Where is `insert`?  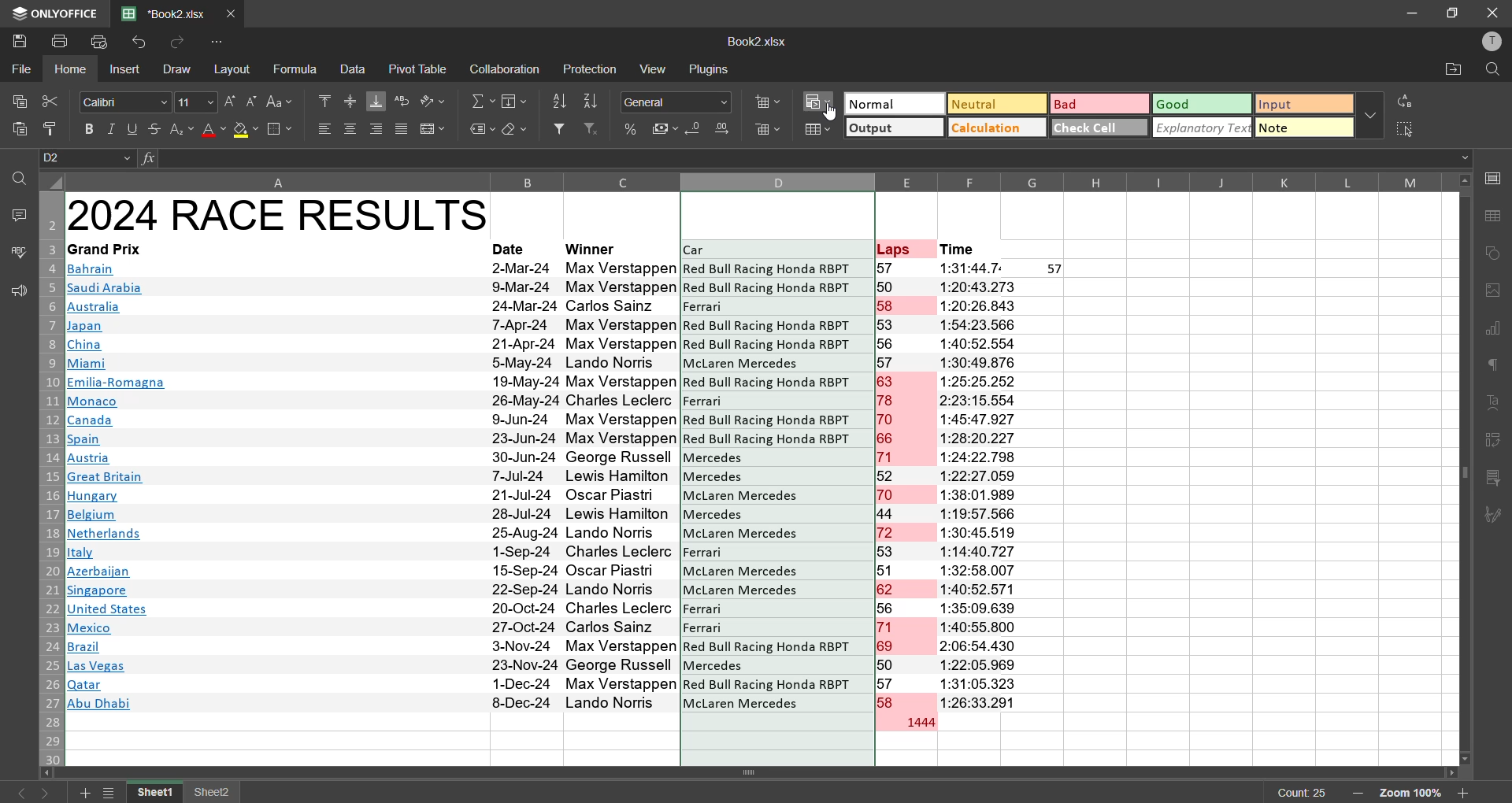 insert is located at coordinates (126, 71).